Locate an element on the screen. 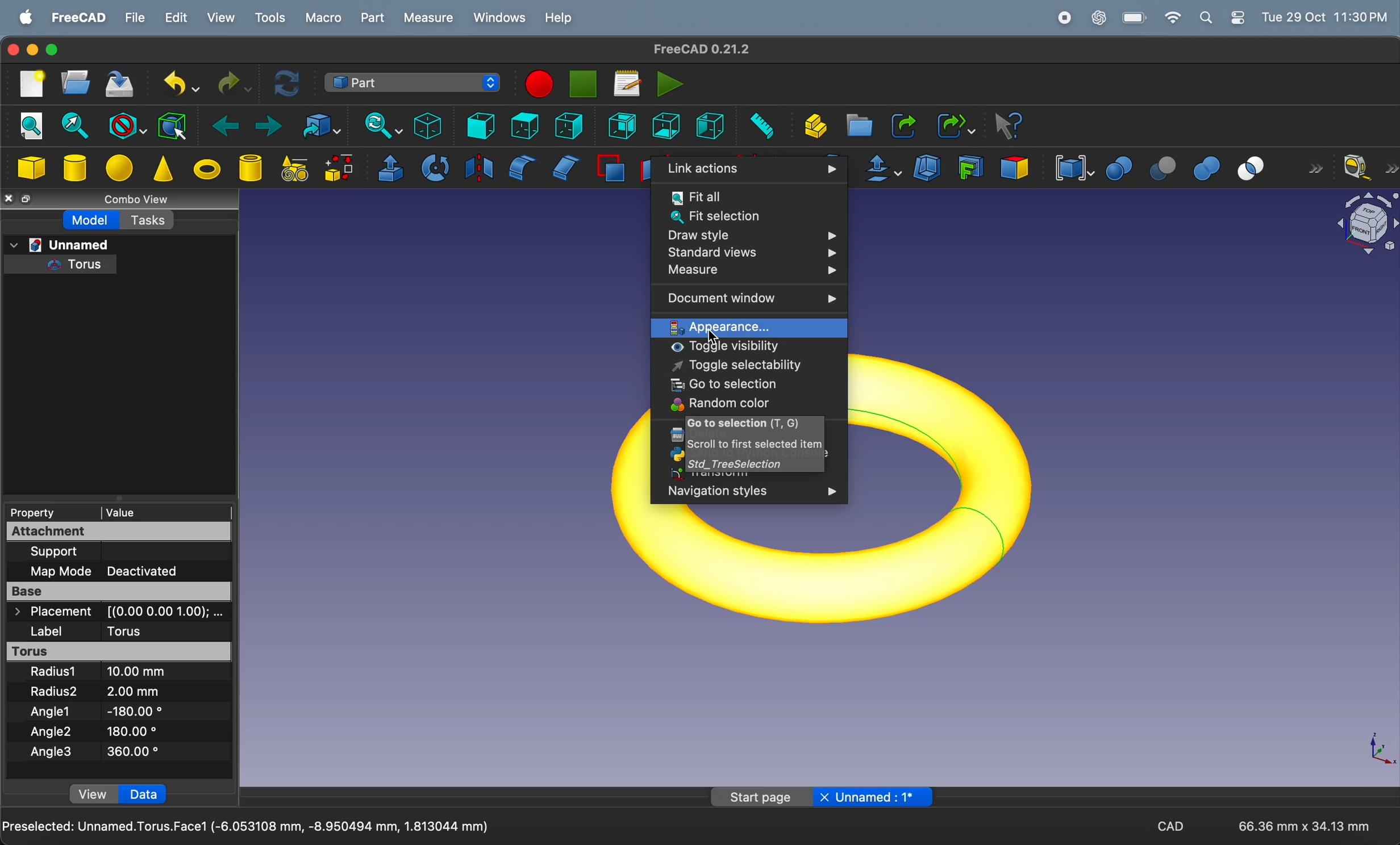 The image size is (1400, 845). make face from wires is located at coordinates (610, 170).